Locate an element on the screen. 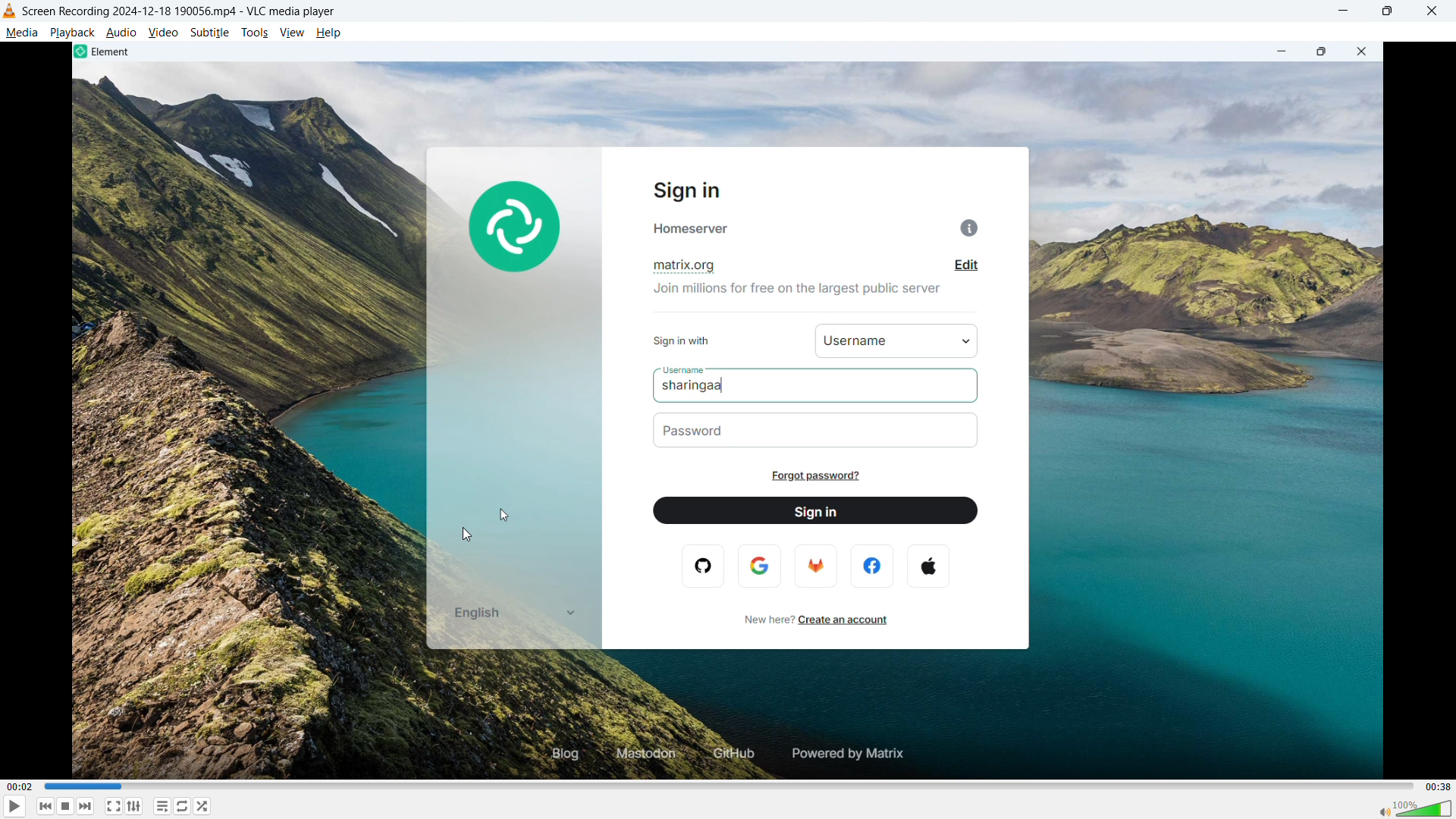  Playback  is located at coordinates (73, 33).